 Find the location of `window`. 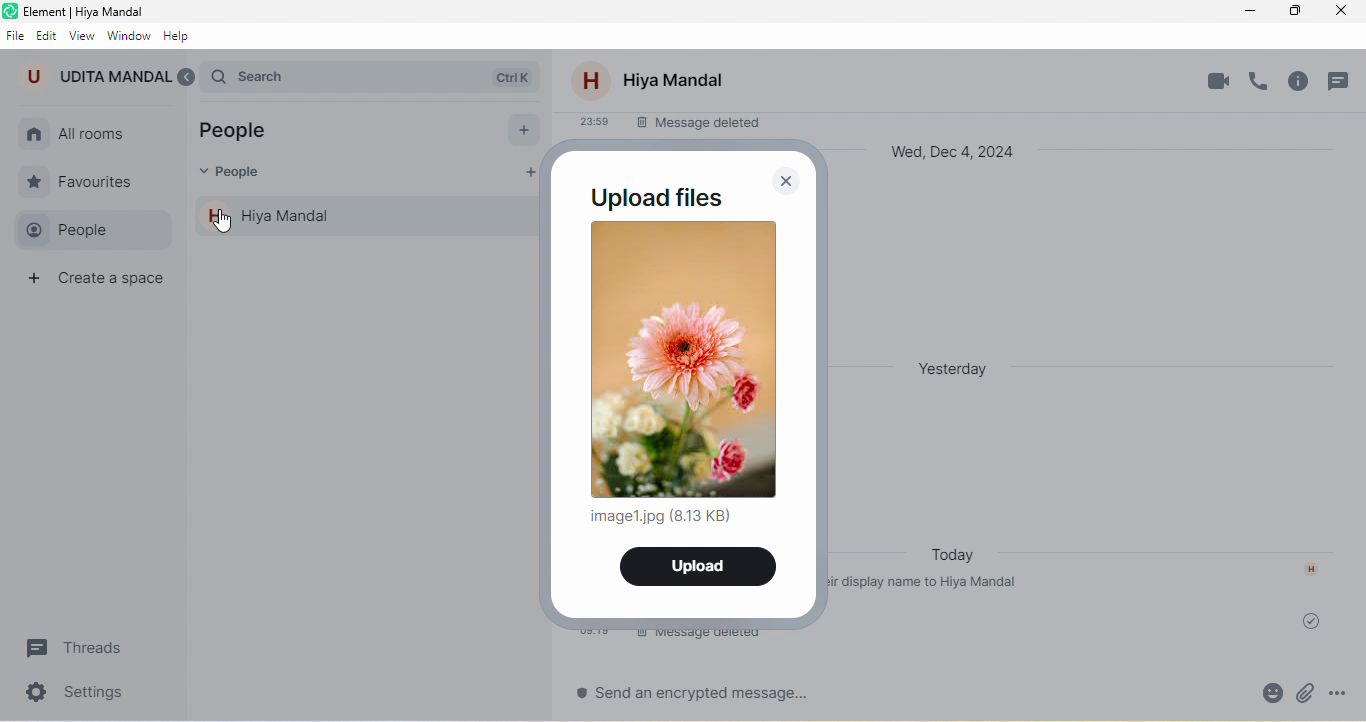

window is located at coordinates (129, 34).